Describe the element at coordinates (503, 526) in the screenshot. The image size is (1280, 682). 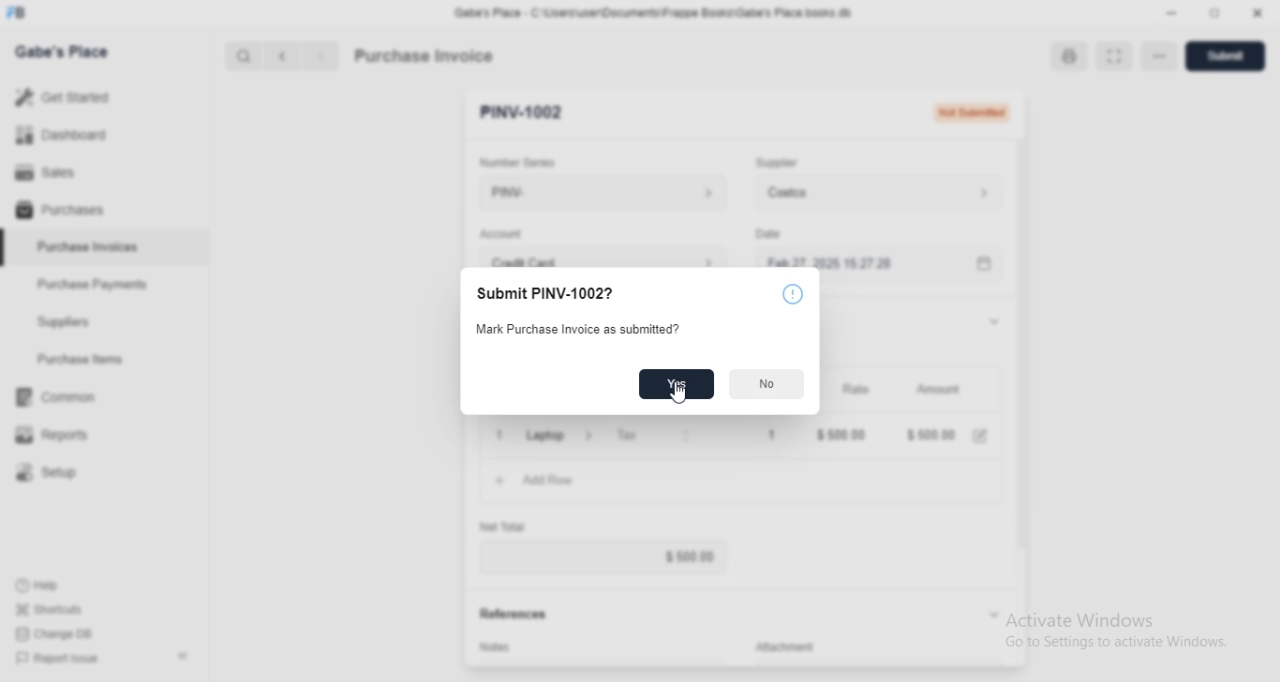
I see `Net Total` at that location.